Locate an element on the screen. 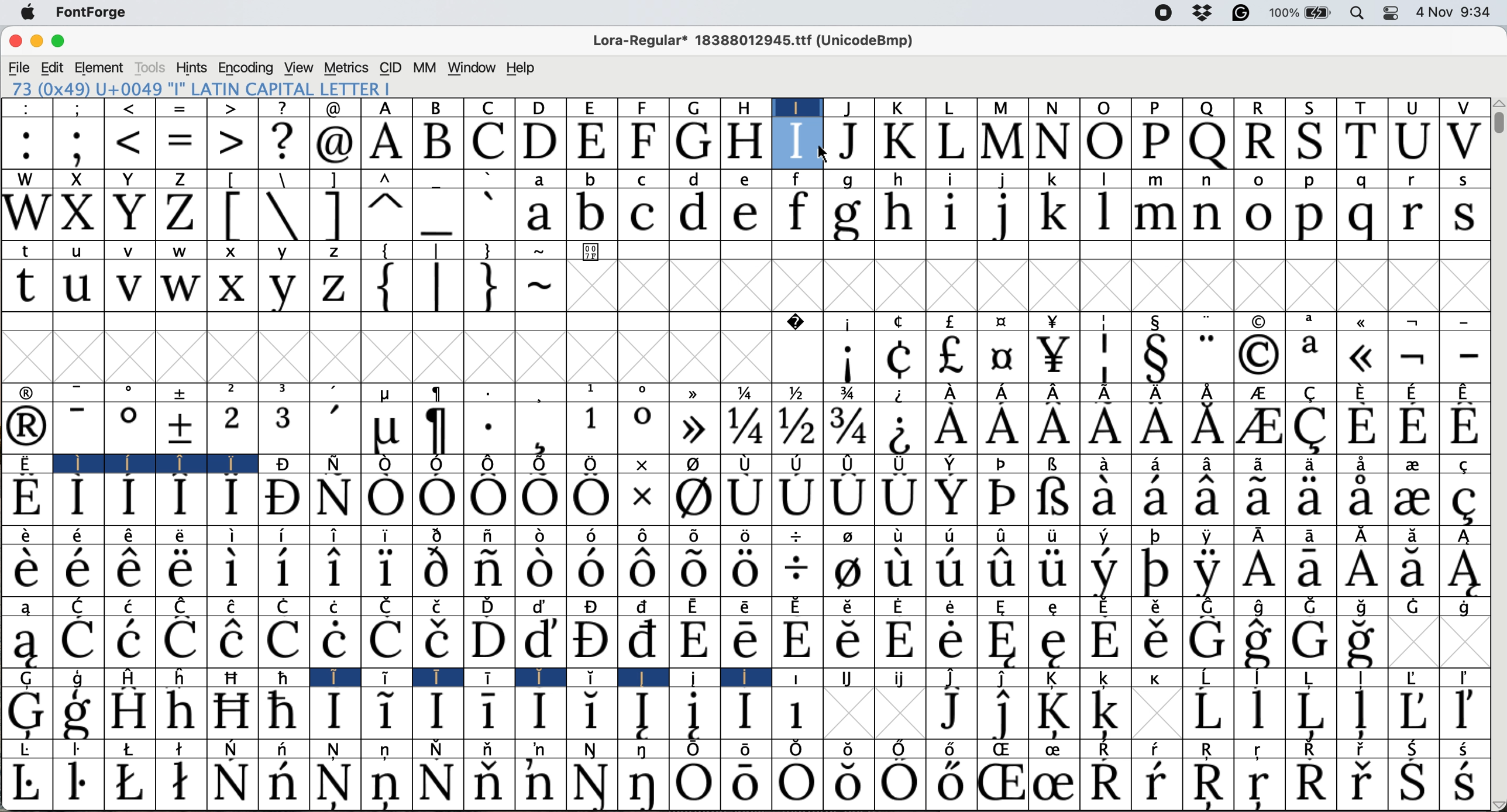 The height and width of the screenshot is (812, 1507). b is located at coordinates (593, 214).